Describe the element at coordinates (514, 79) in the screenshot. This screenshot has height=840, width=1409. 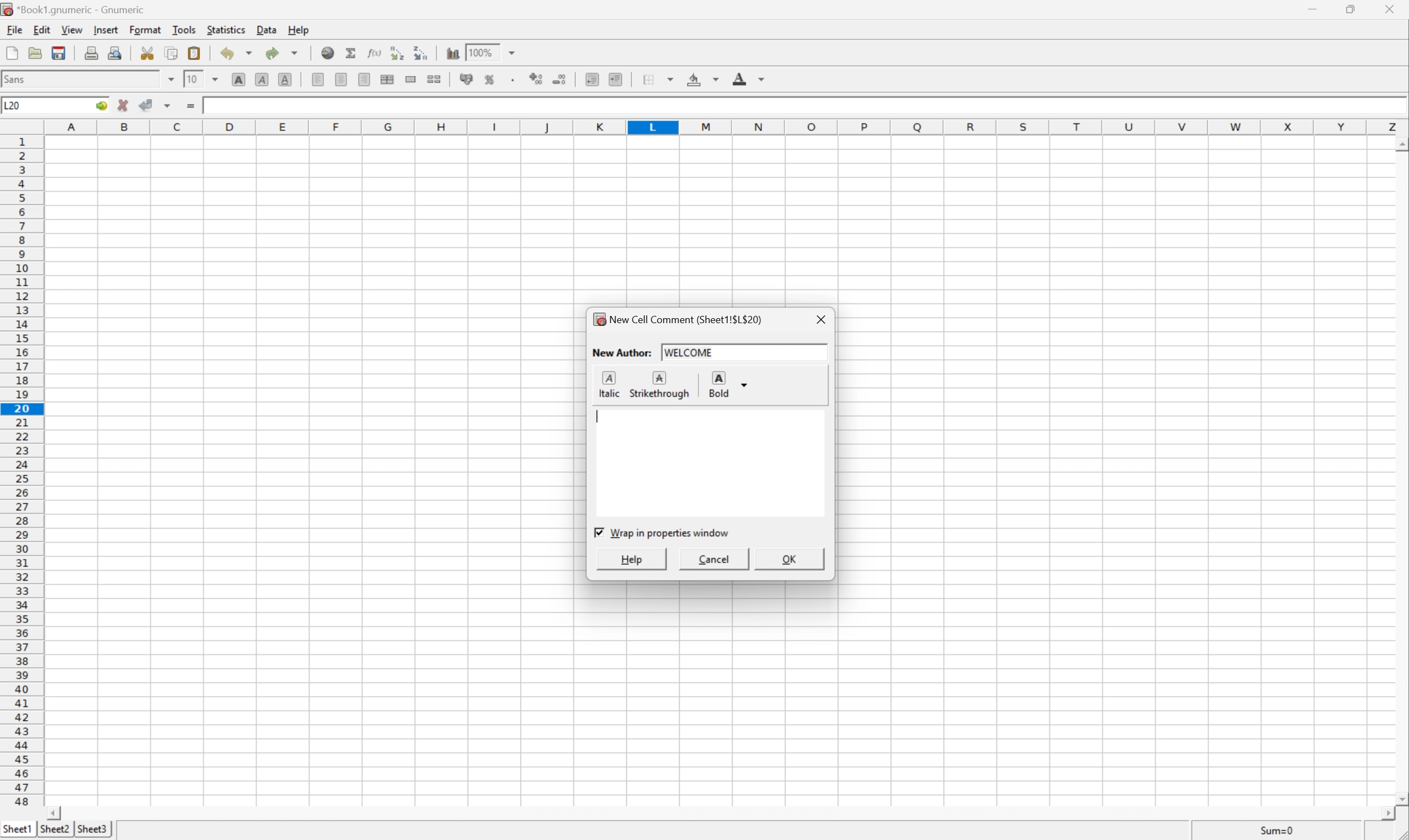
I see `Set the format of the selected cells to include a thousands separator` at that location.